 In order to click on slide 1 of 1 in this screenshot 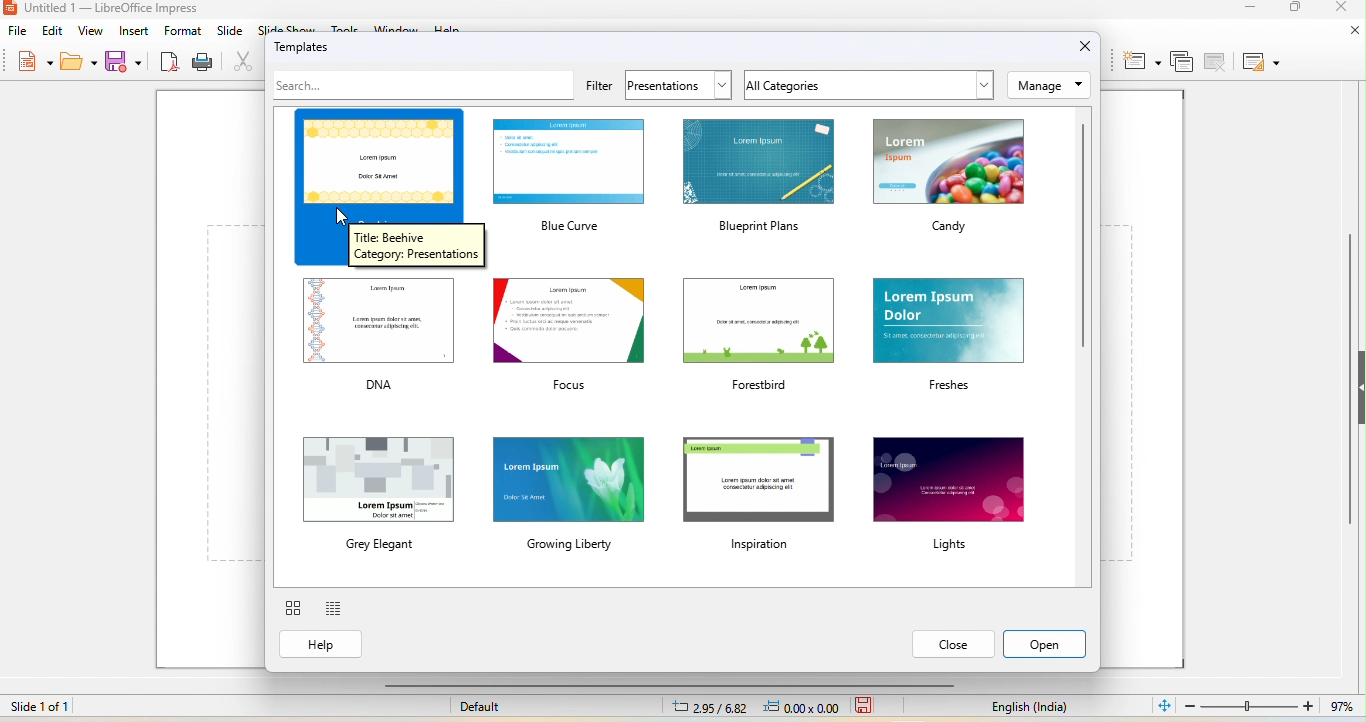, I will do `click(90, 710)`.